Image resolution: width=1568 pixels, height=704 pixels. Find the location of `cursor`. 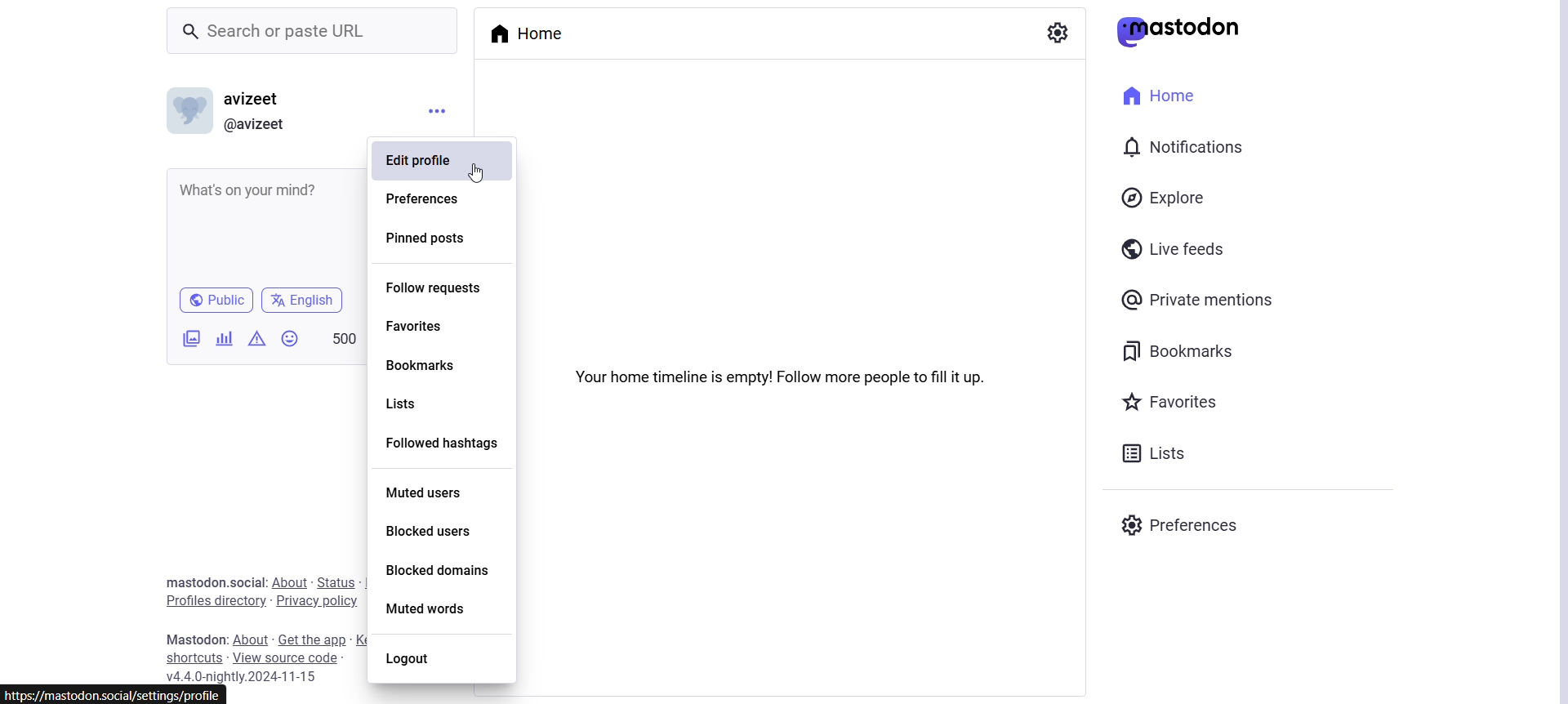

cursor is located at coordinates (478, 172).